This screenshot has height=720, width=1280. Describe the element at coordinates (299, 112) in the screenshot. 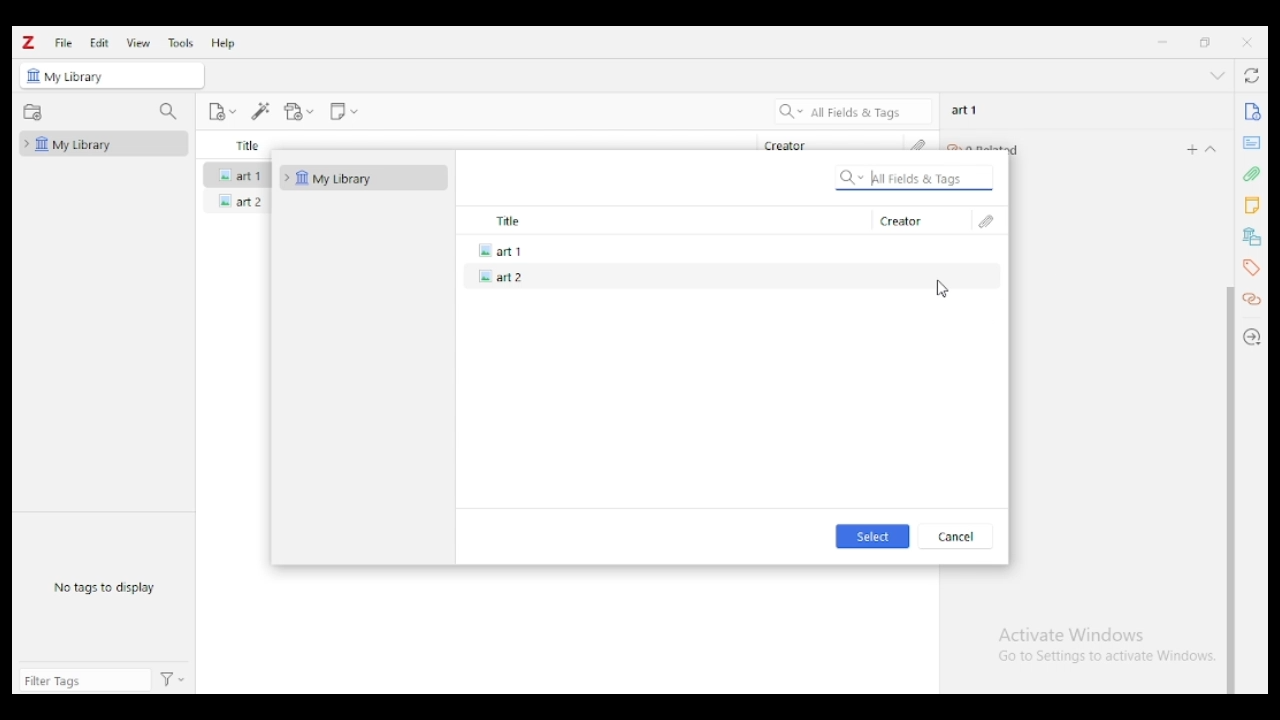

I see `add attachment` at that location.